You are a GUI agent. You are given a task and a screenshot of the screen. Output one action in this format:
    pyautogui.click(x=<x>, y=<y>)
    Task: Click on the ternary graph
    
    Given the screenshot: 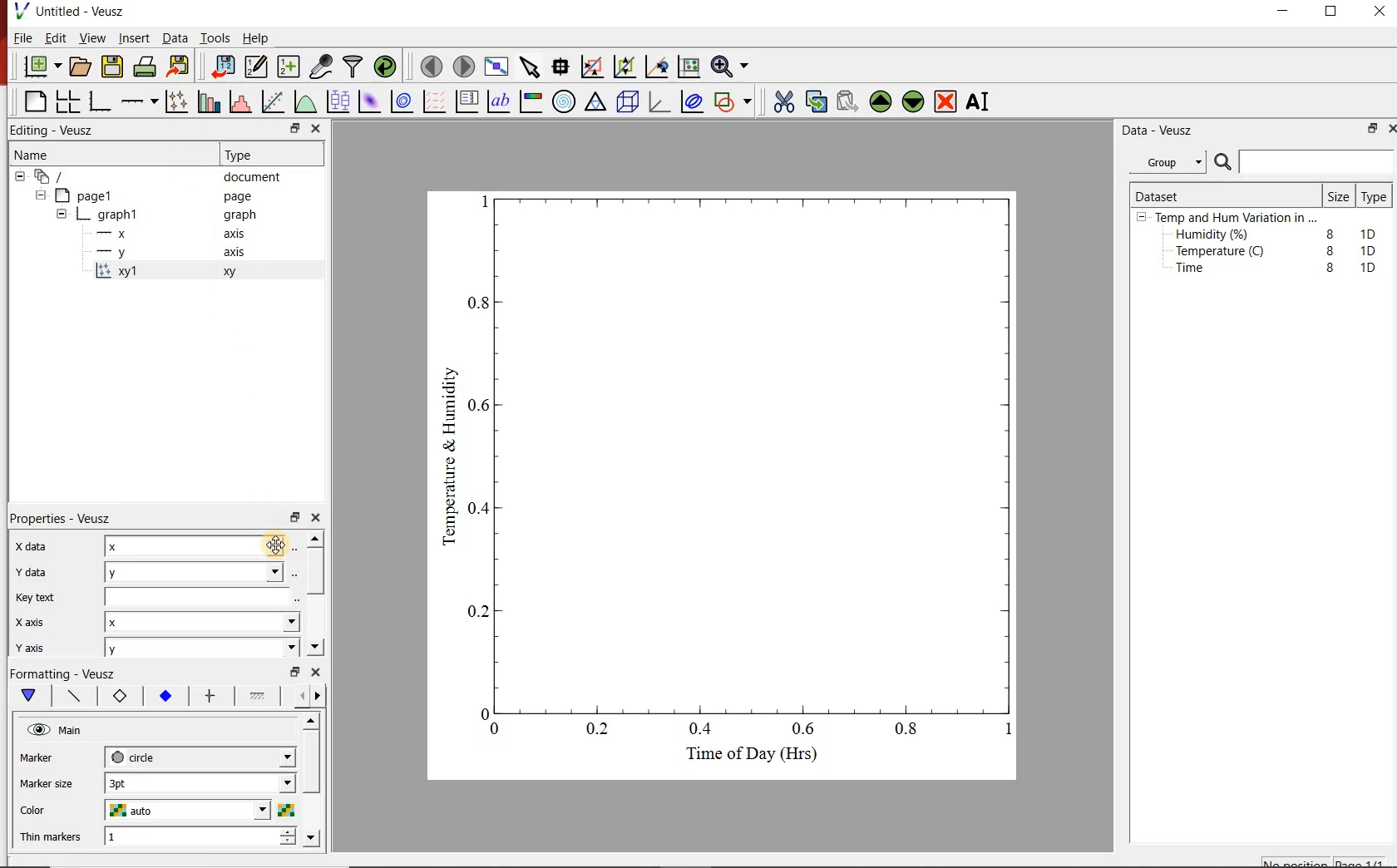 What is the action you would take?
    pyautogui.click(x=597, y=104)
    